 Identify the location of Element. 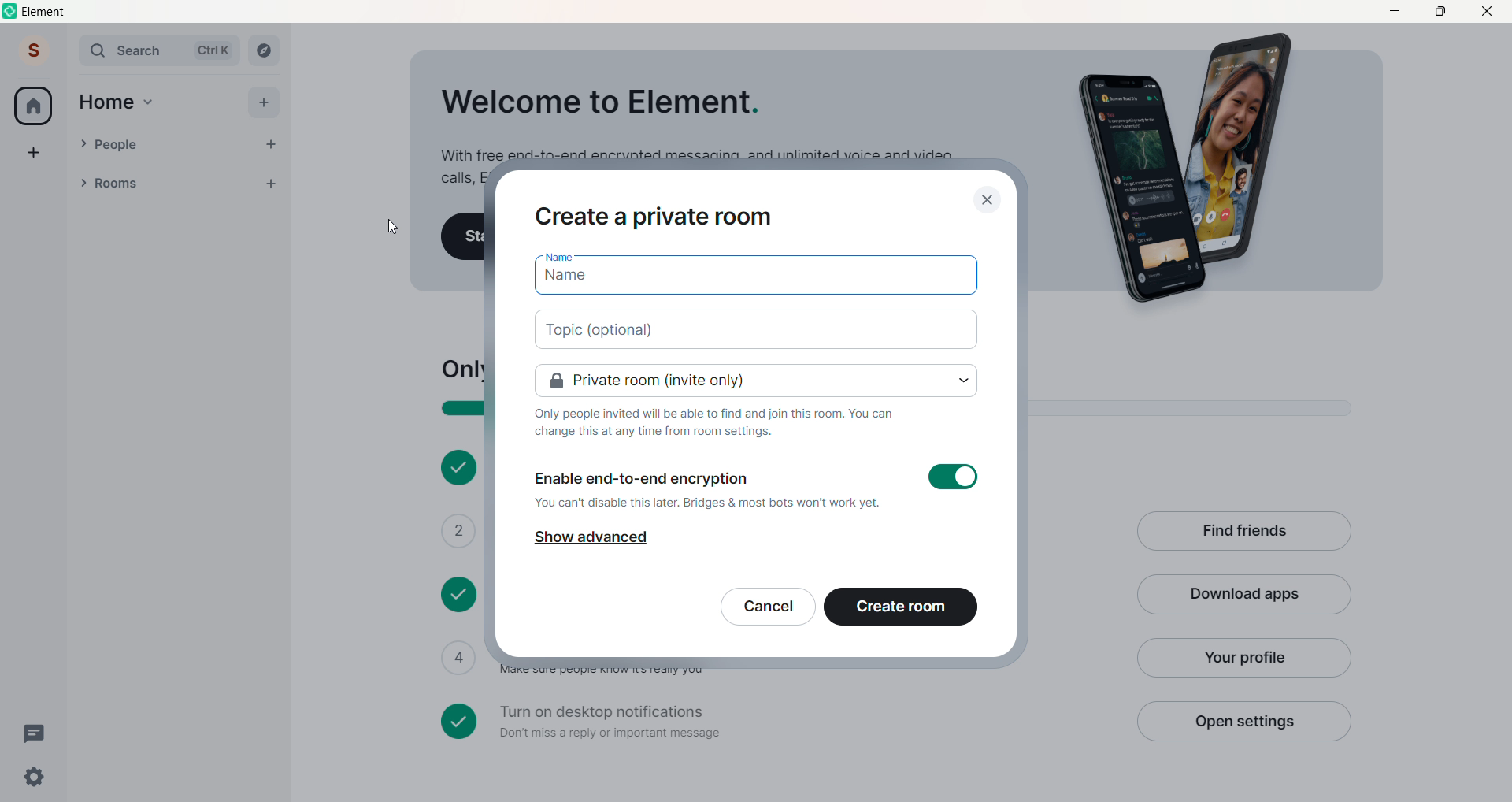
(46, 12).